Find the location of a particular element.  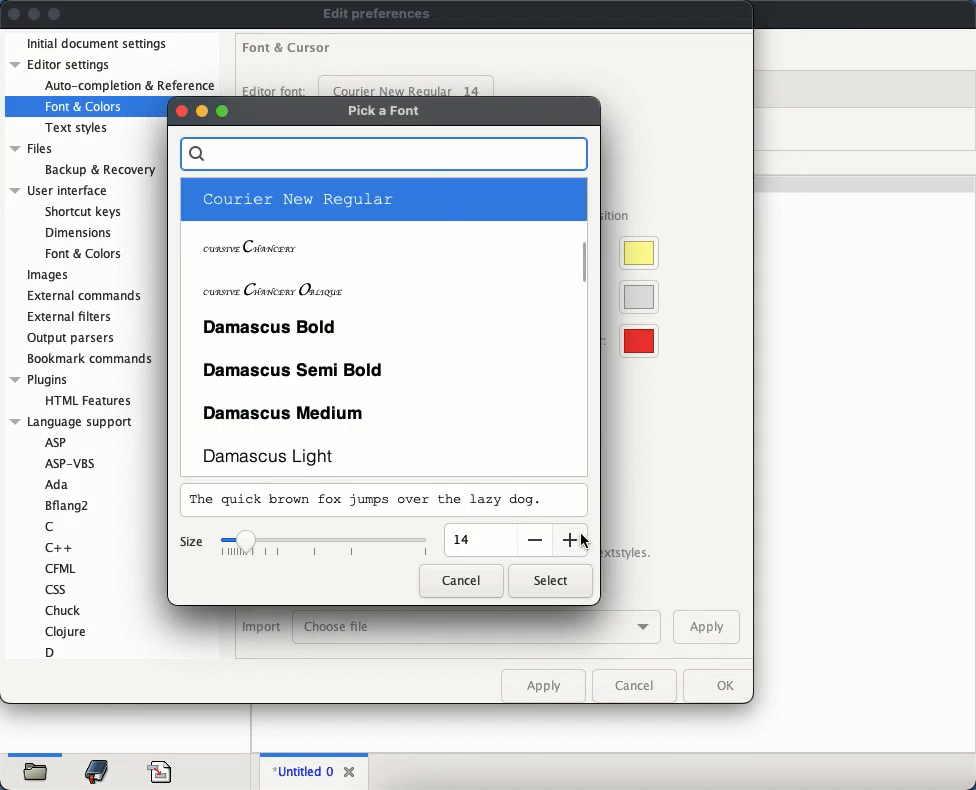

clojure is located at coordinates (67, 631).